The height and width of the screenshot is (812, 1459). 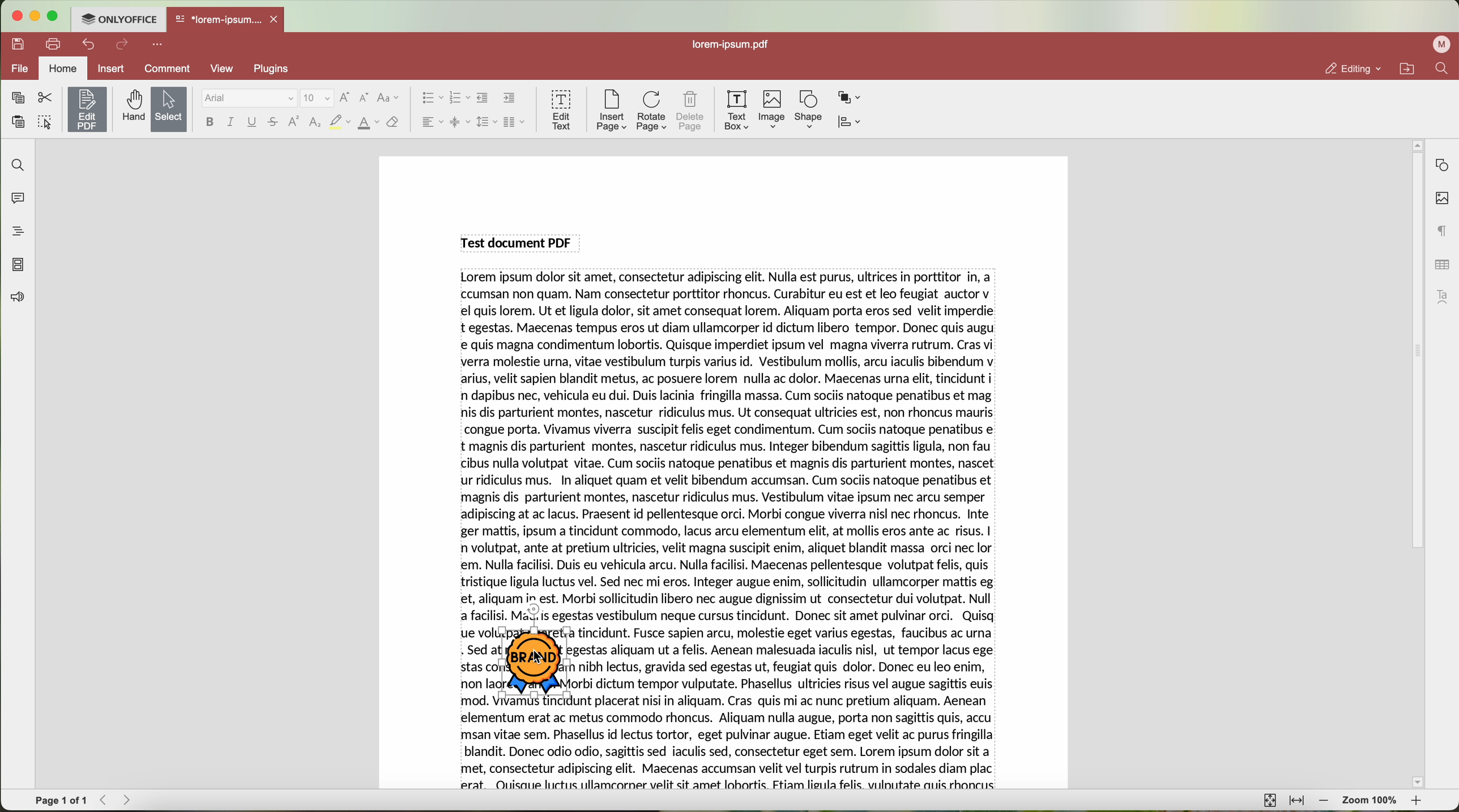 I want to click on Forward, so click(x=131, y=800).